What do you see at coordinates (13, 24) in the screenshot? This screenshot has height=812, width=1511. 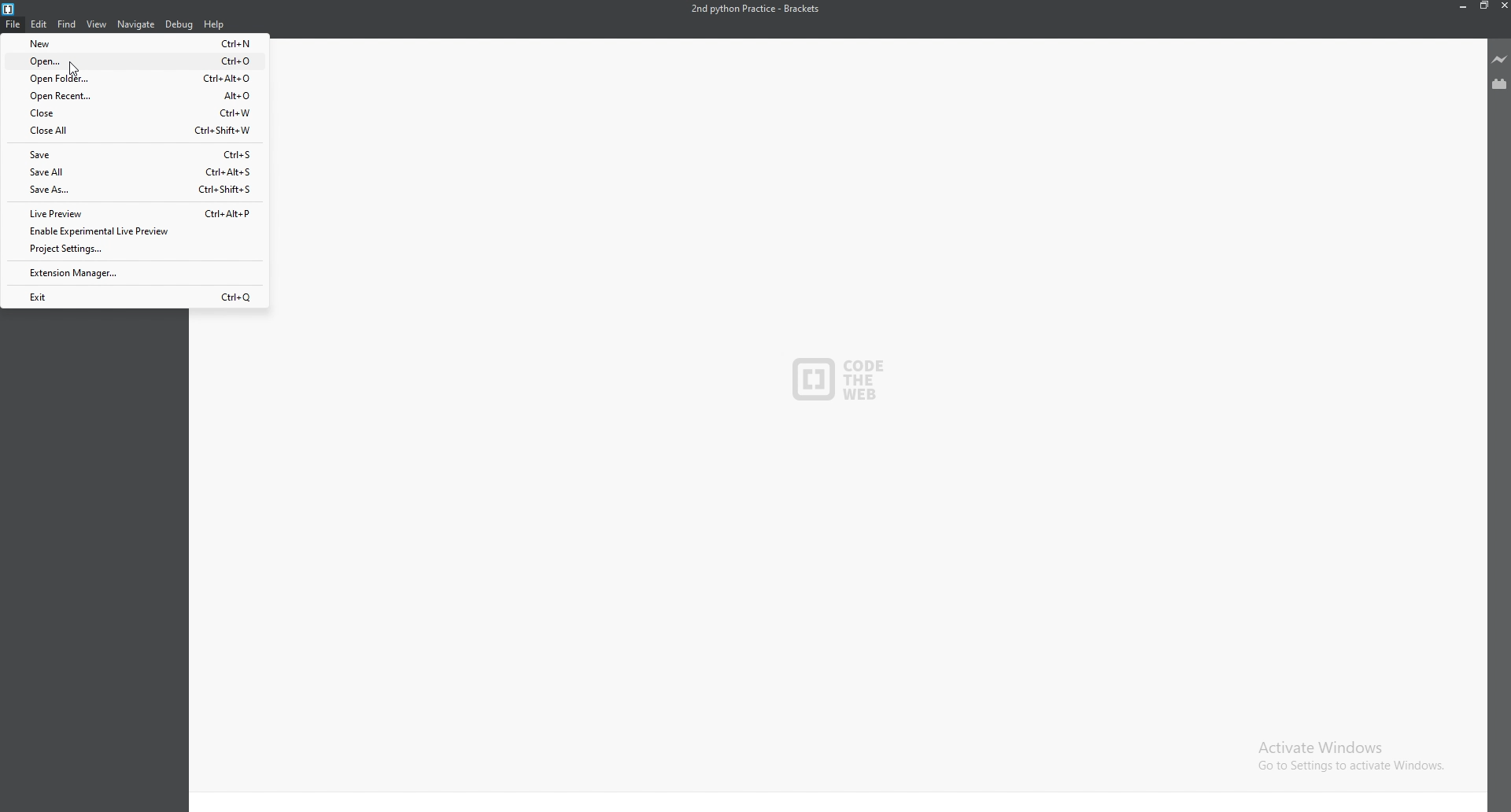 I see `file` at bounding box center [13, 24].